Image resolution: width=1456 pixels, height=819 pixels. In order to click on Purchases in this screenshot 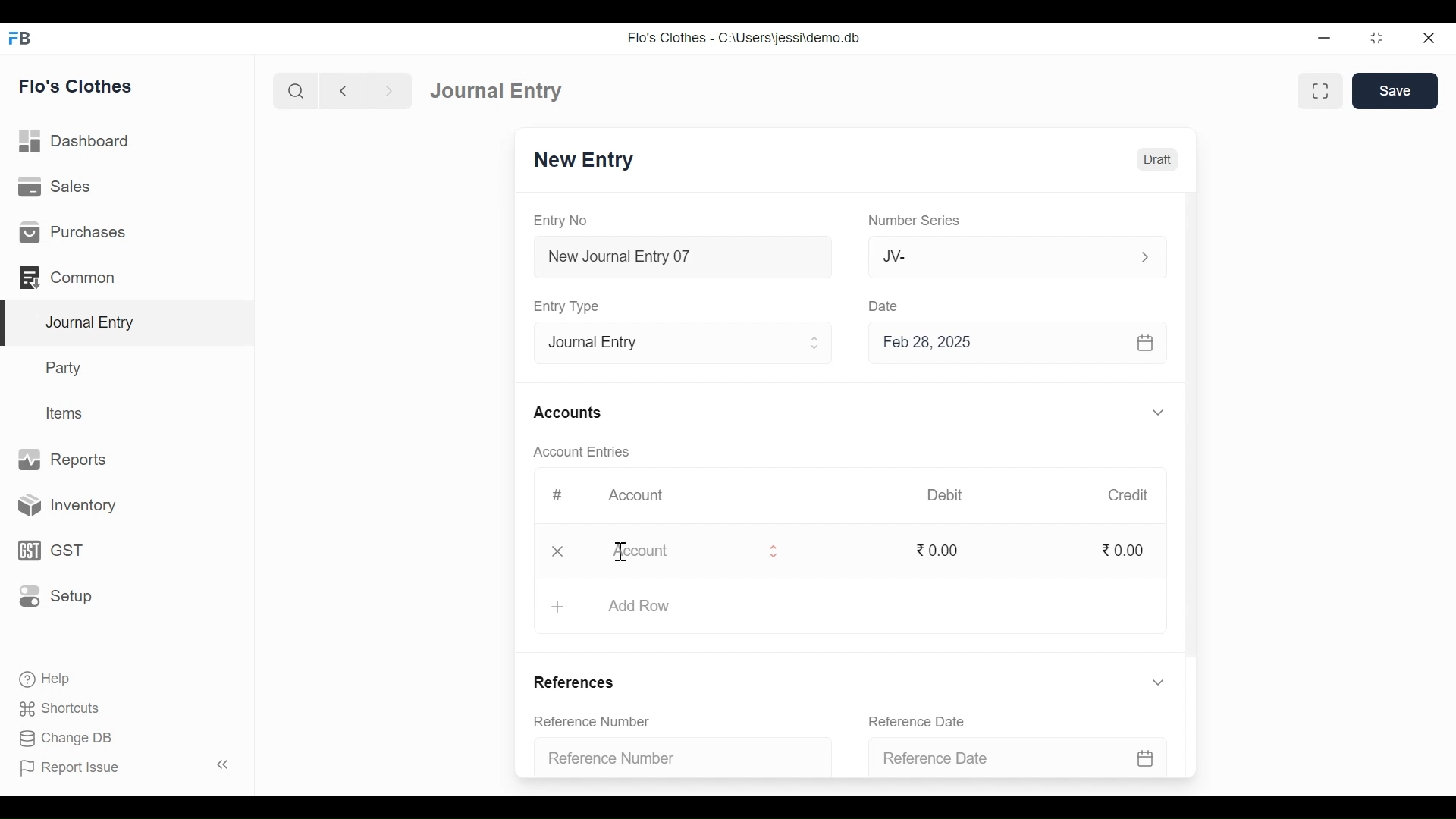, I will do `click(73, 231)`.